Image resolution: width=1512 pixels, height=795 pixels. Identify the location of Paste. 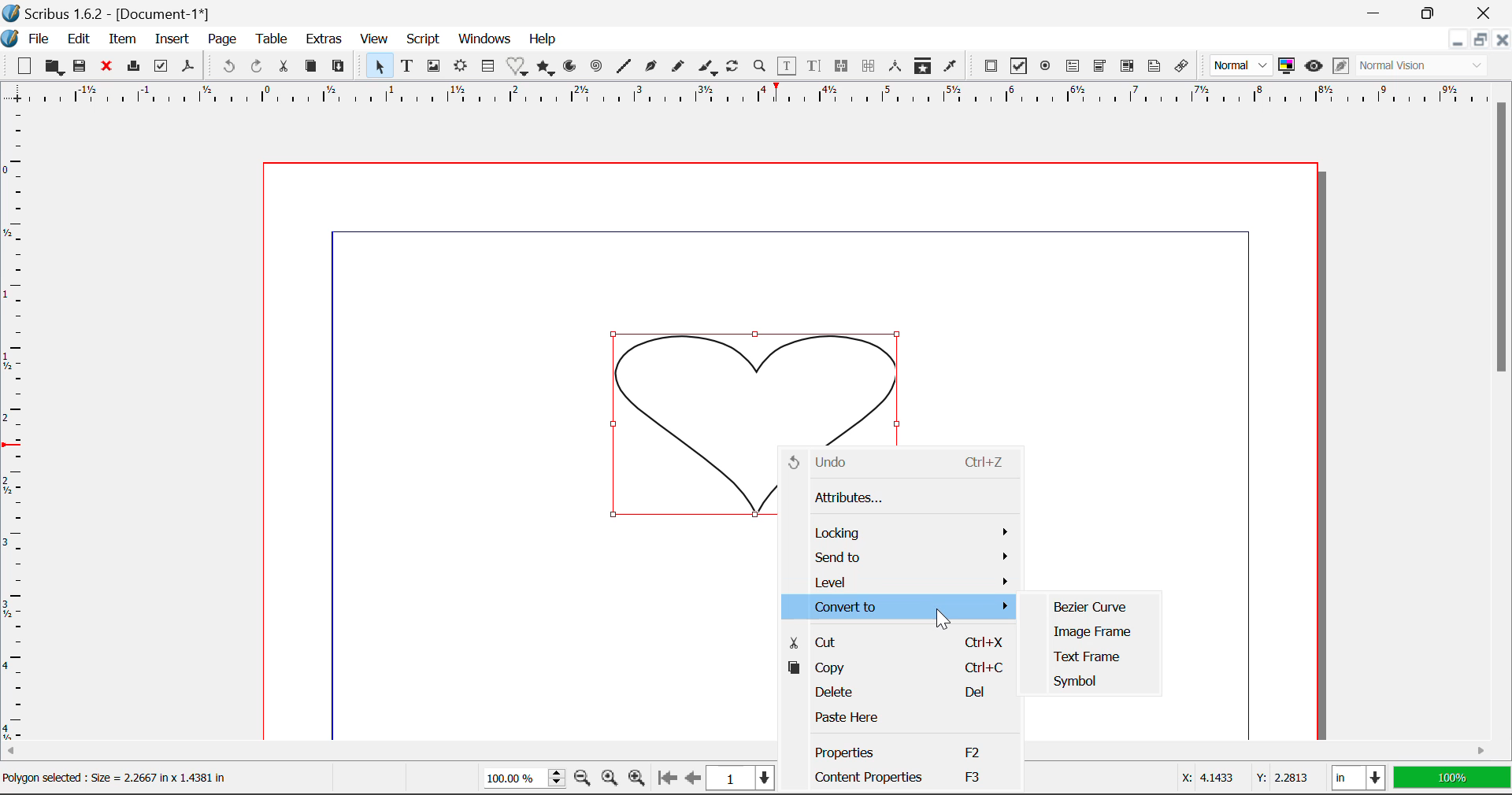
(342, 65).